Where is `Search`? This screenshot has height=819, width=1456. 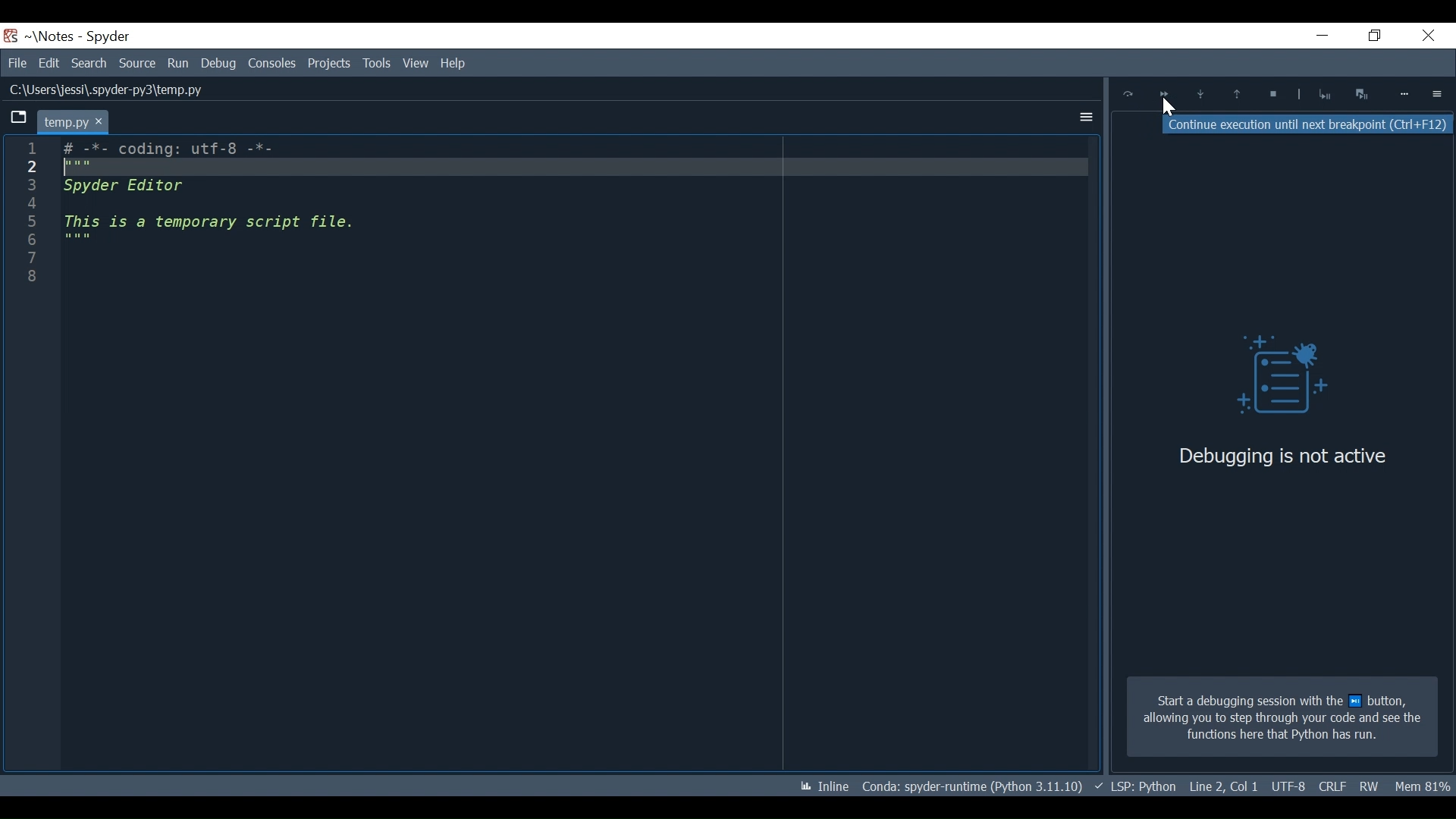 Search is located at coordinates (91, 63).